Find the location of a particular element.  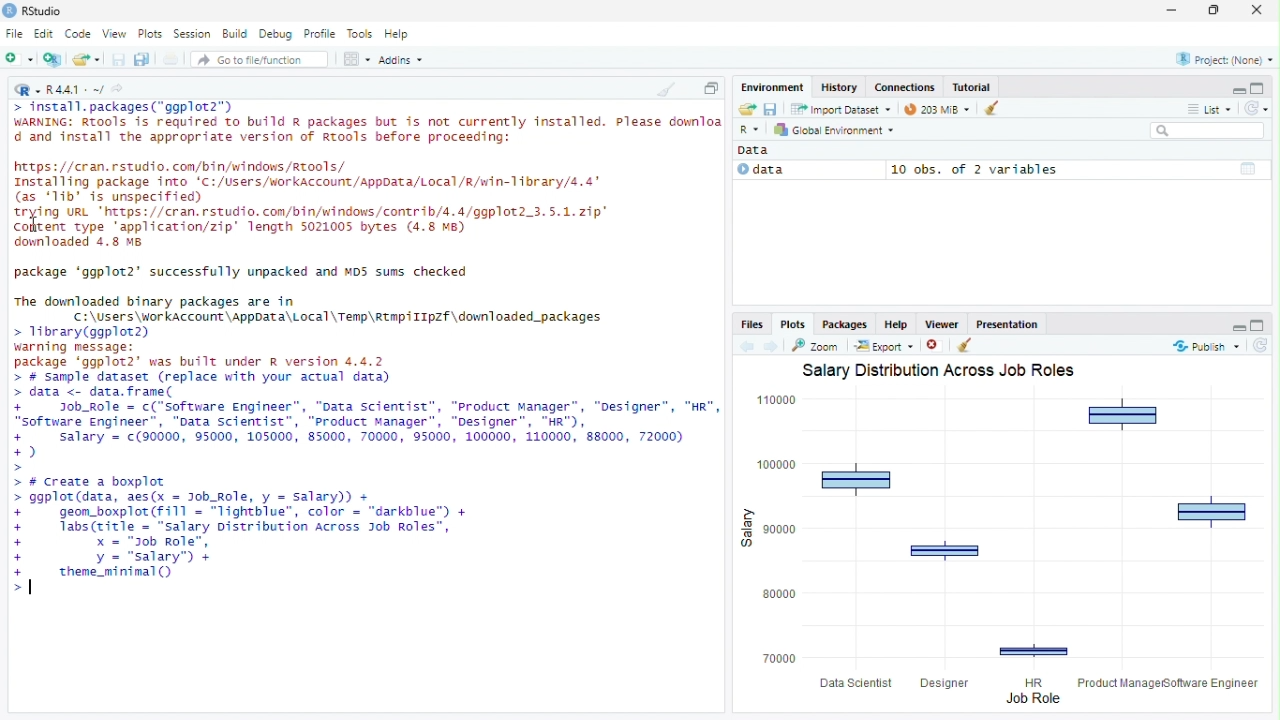

minimize is located at coordinates (1237, 323).